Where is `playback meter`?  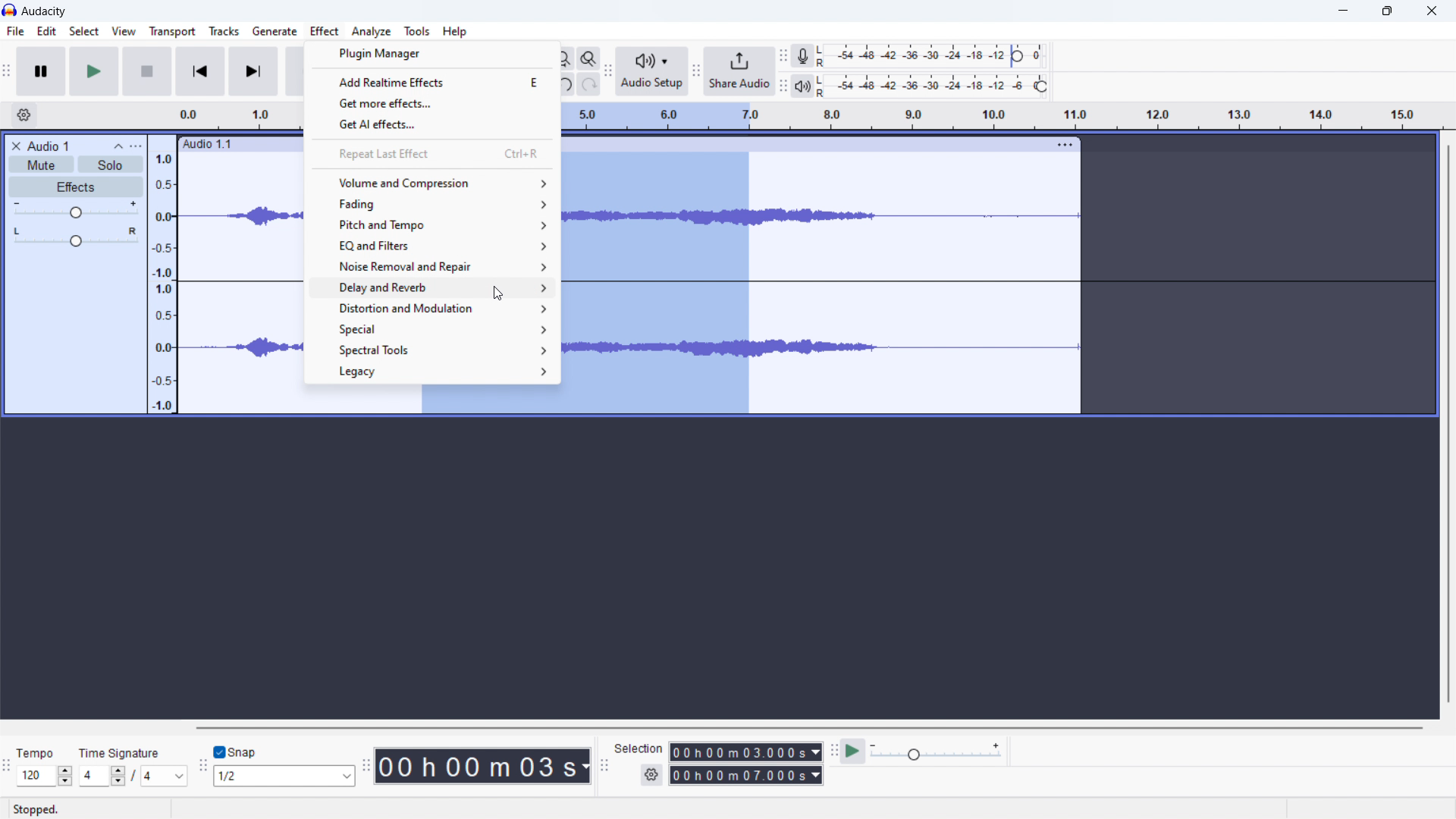 playback meter is located at coordinates (804, 86).